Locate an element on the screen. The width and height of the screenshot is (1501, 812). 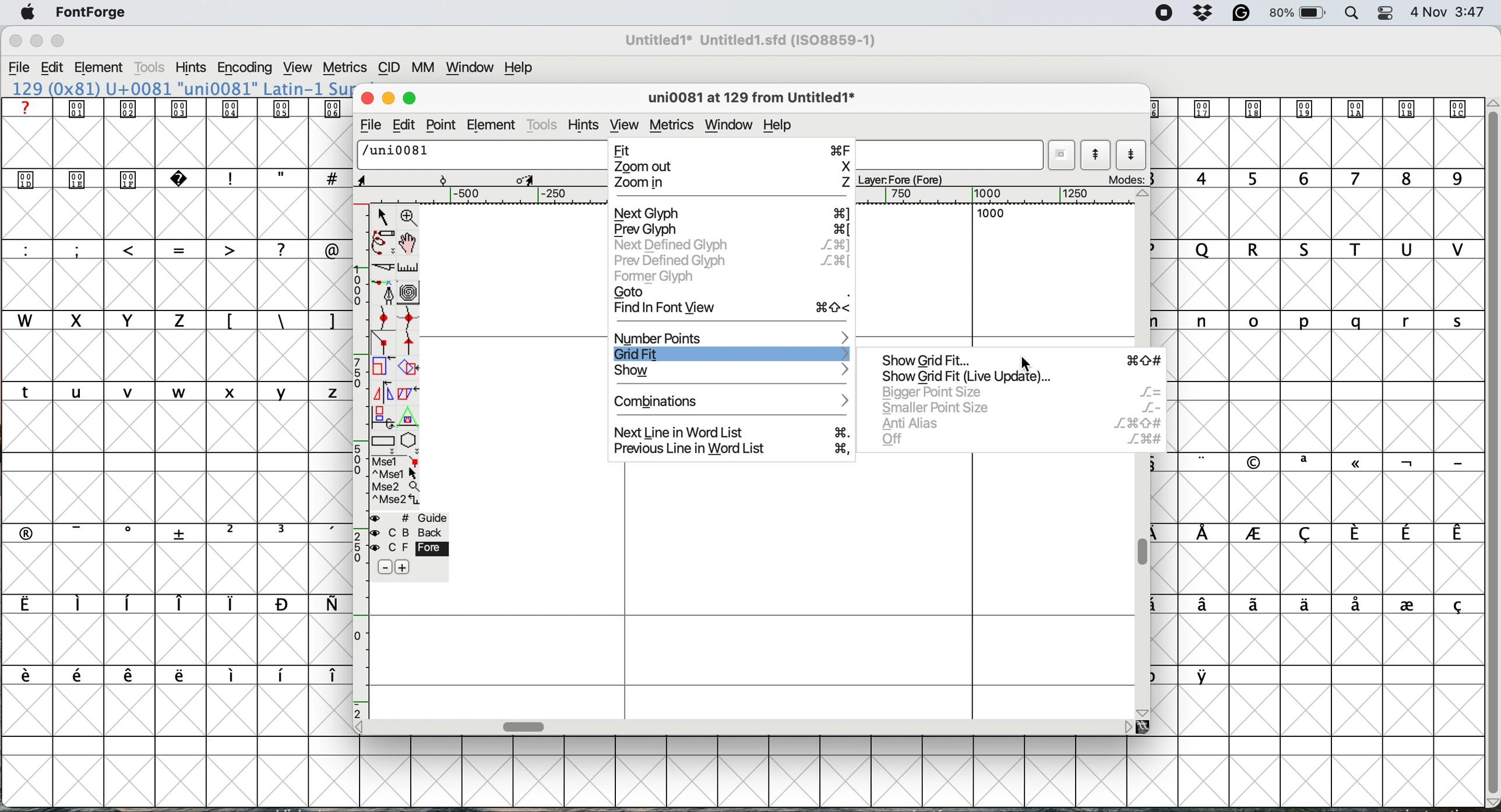
C F Fore is located at coordinates (413, 549).